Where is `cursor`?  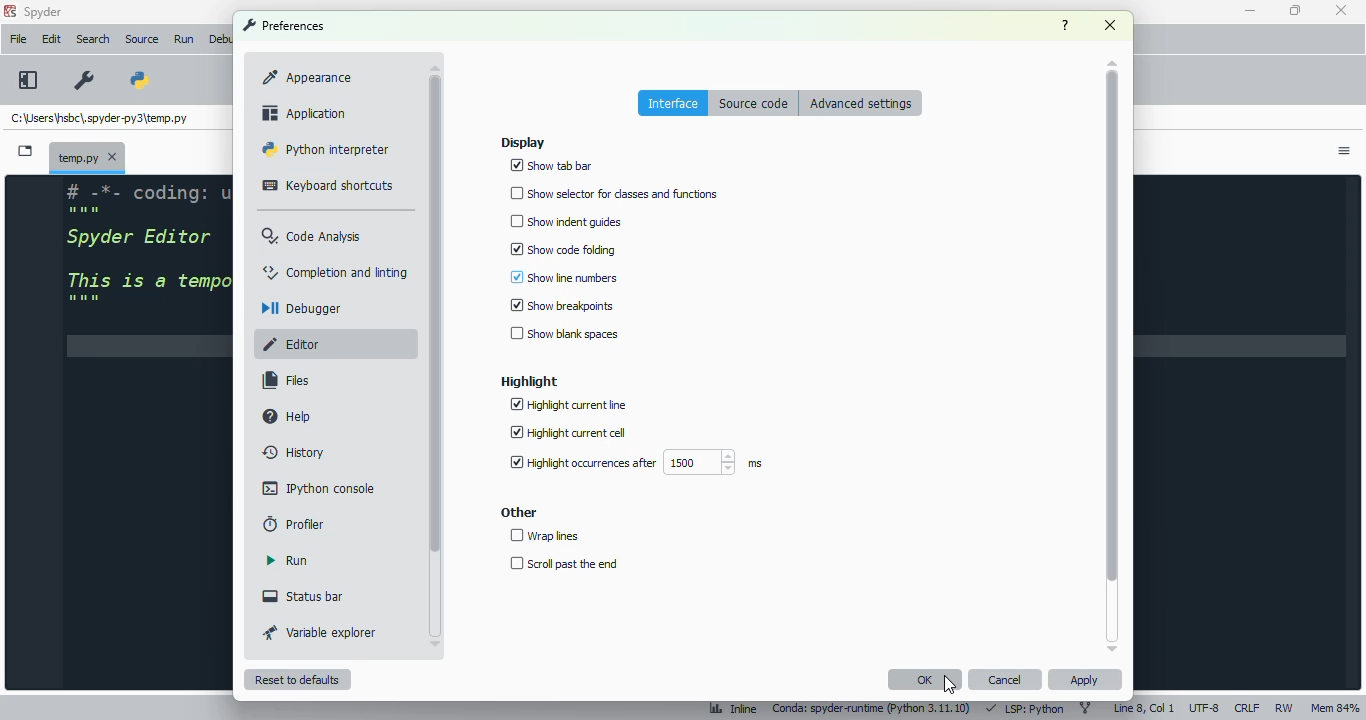 cursor is located at coordinates (950, 687).